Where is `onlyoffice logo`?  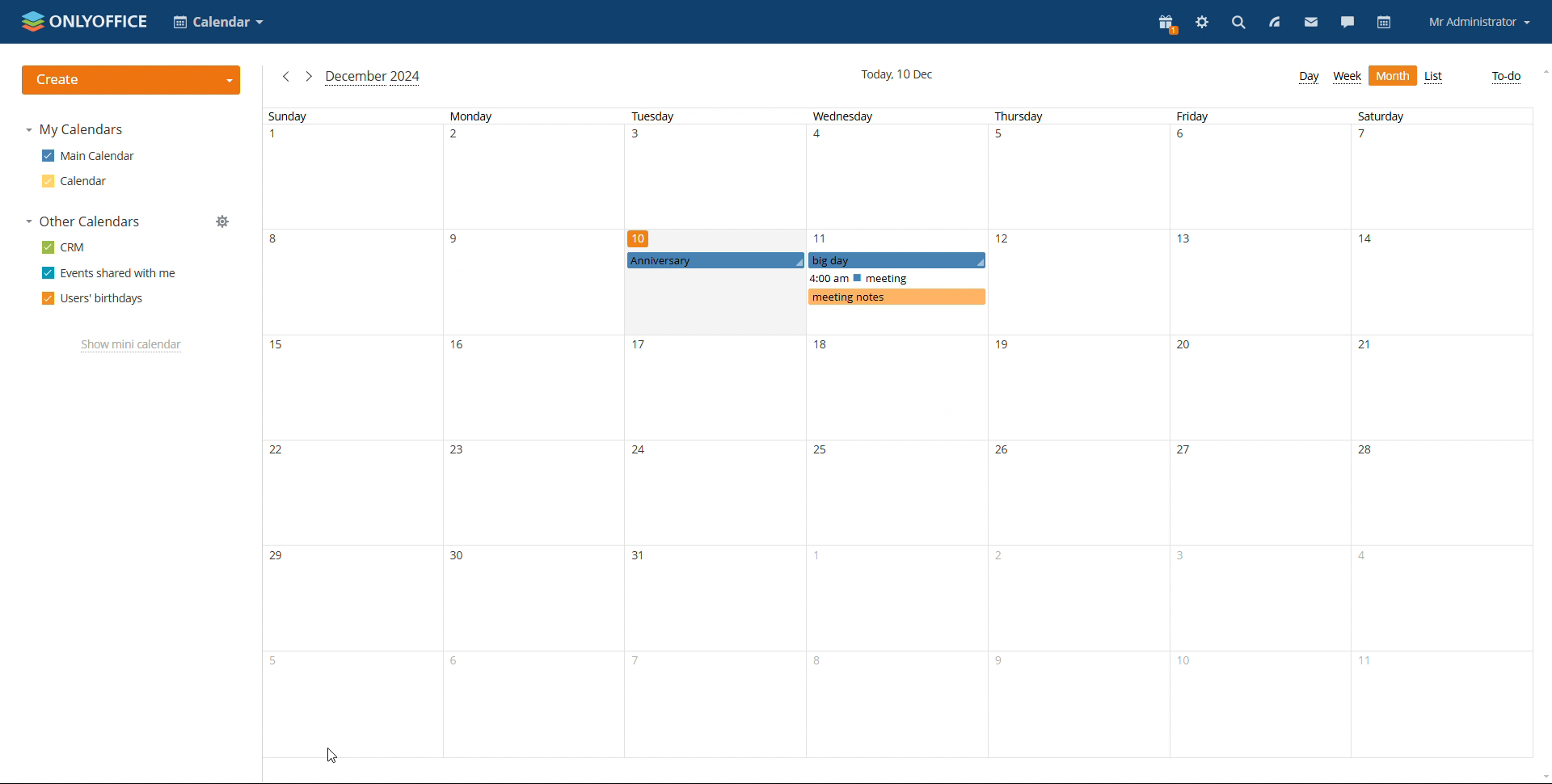
onlyoffice logo is located at coordinates (32, 22).